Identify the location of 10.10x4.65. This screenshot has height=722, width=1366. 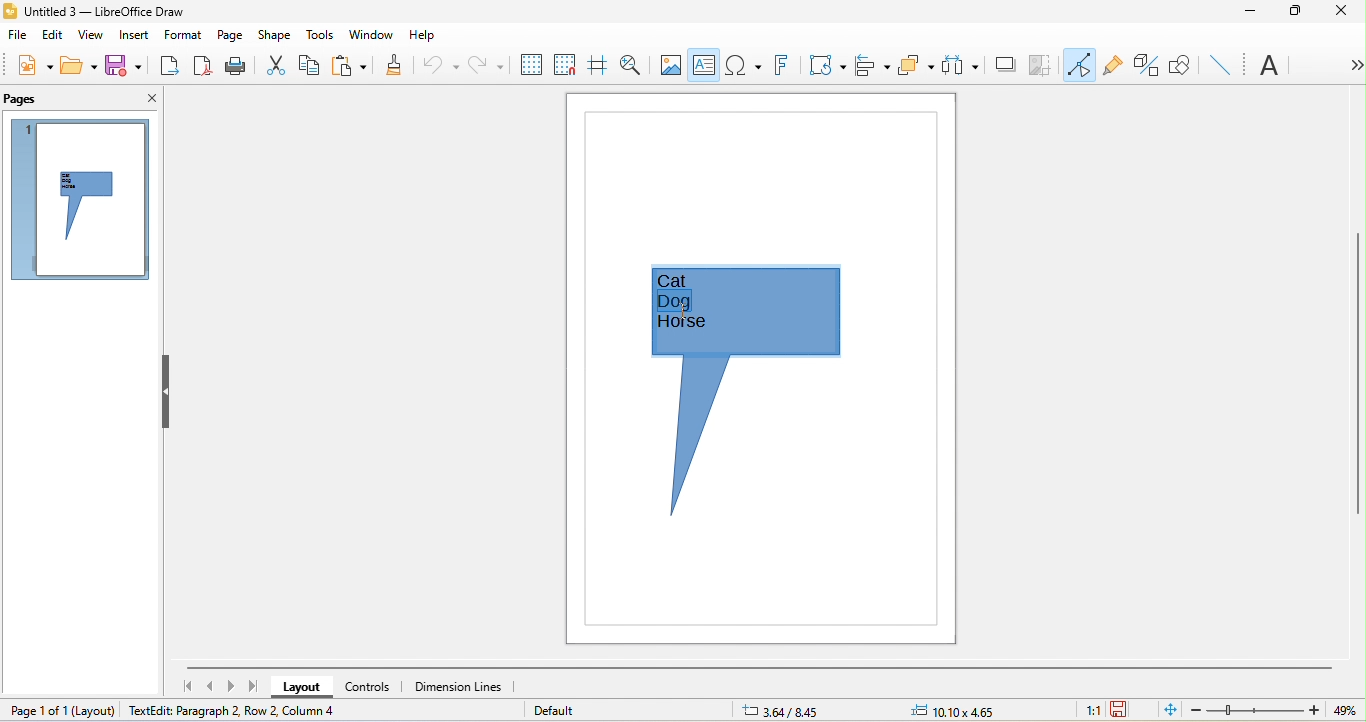
(972, 710).